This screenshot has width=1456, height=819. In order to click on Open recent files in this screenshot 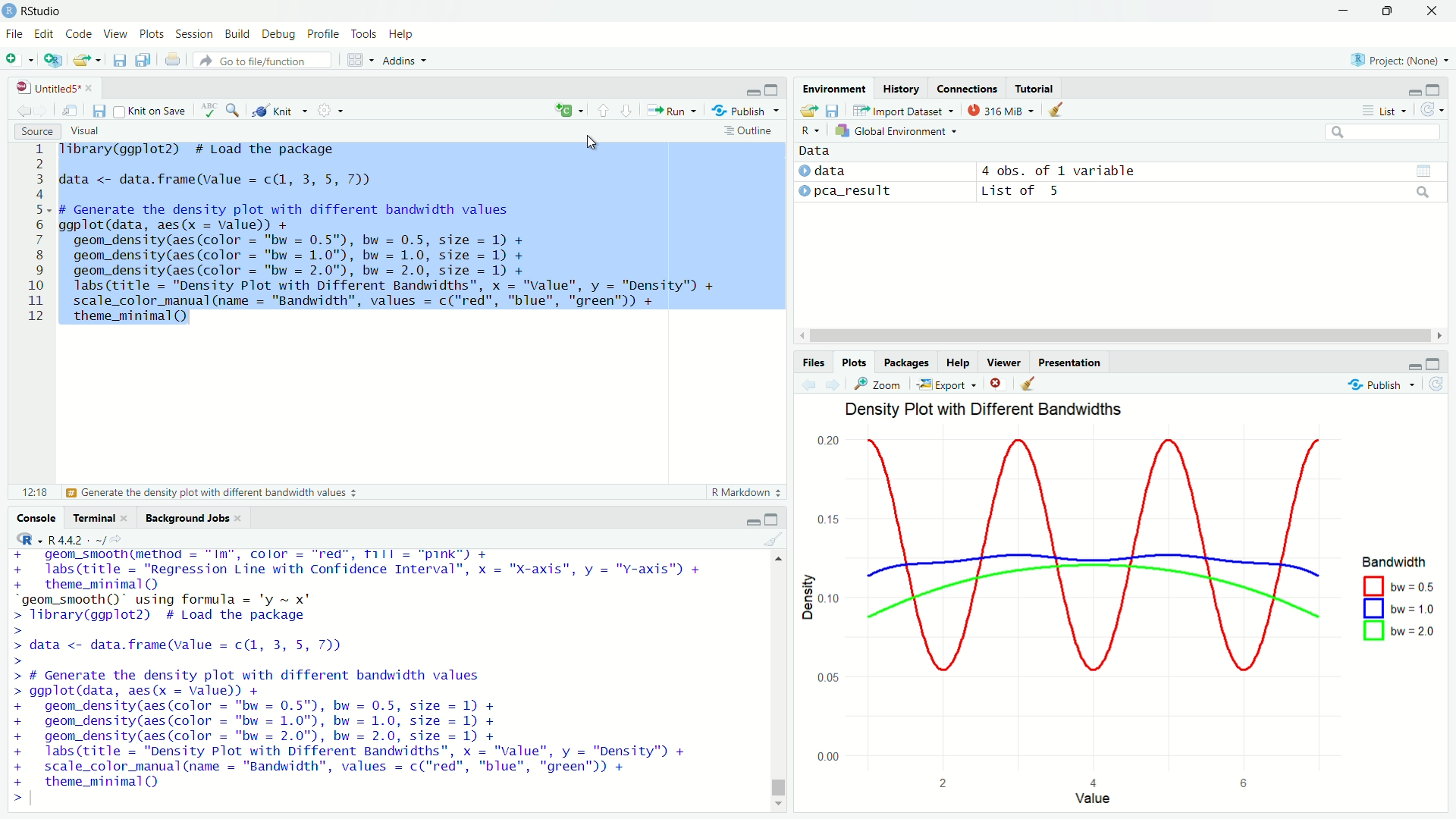, I will do `click(98, 60)`.